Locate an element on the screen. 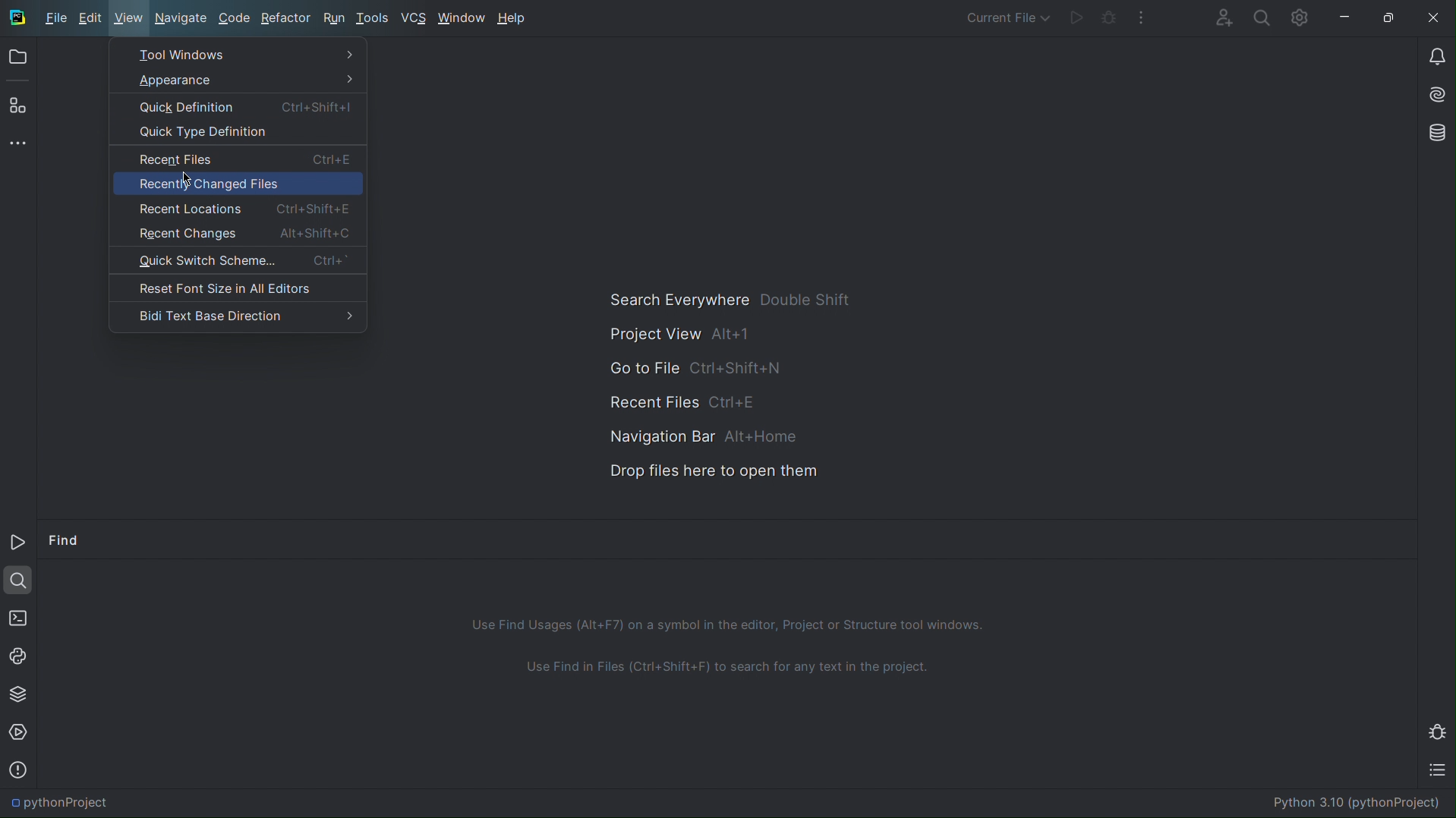 The height and width of the screenshot is (818, 1456). Account is located at coordinates (1222, 16).